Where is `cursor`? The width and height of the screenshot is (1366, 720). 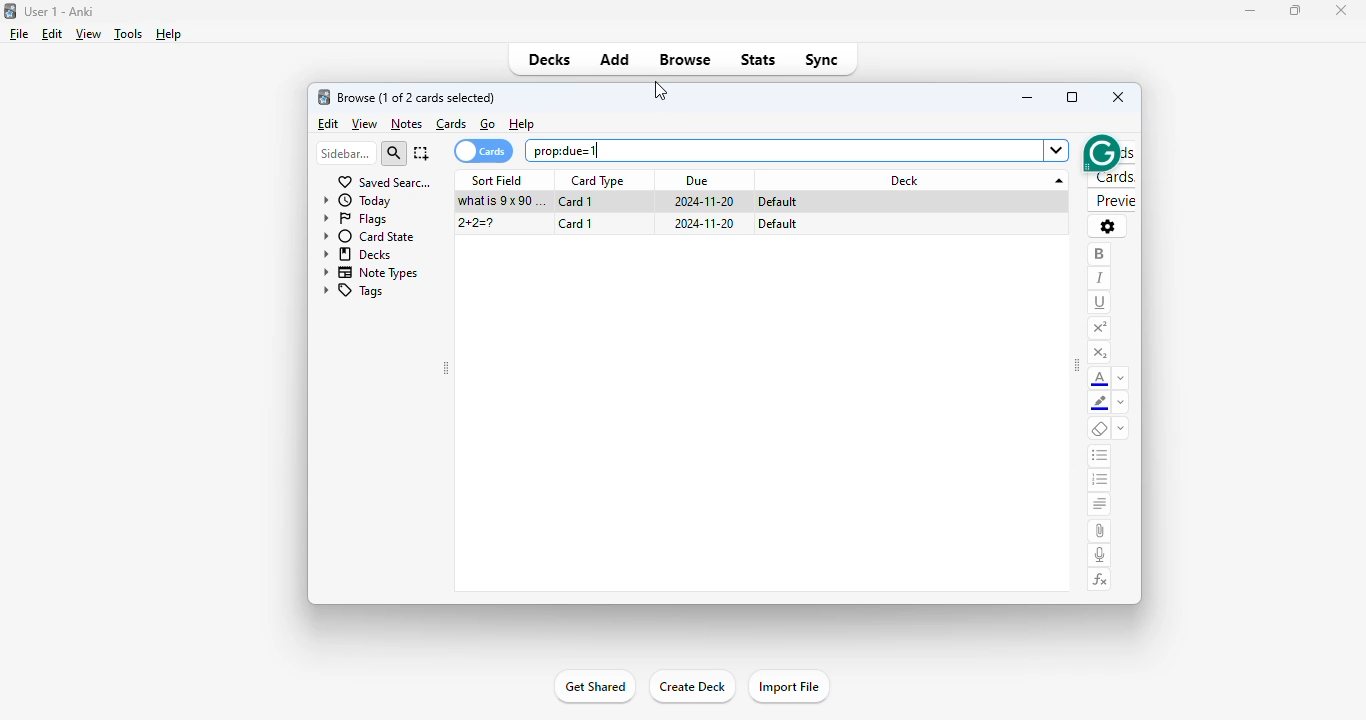 cursor is located at coordinates (661, 90).